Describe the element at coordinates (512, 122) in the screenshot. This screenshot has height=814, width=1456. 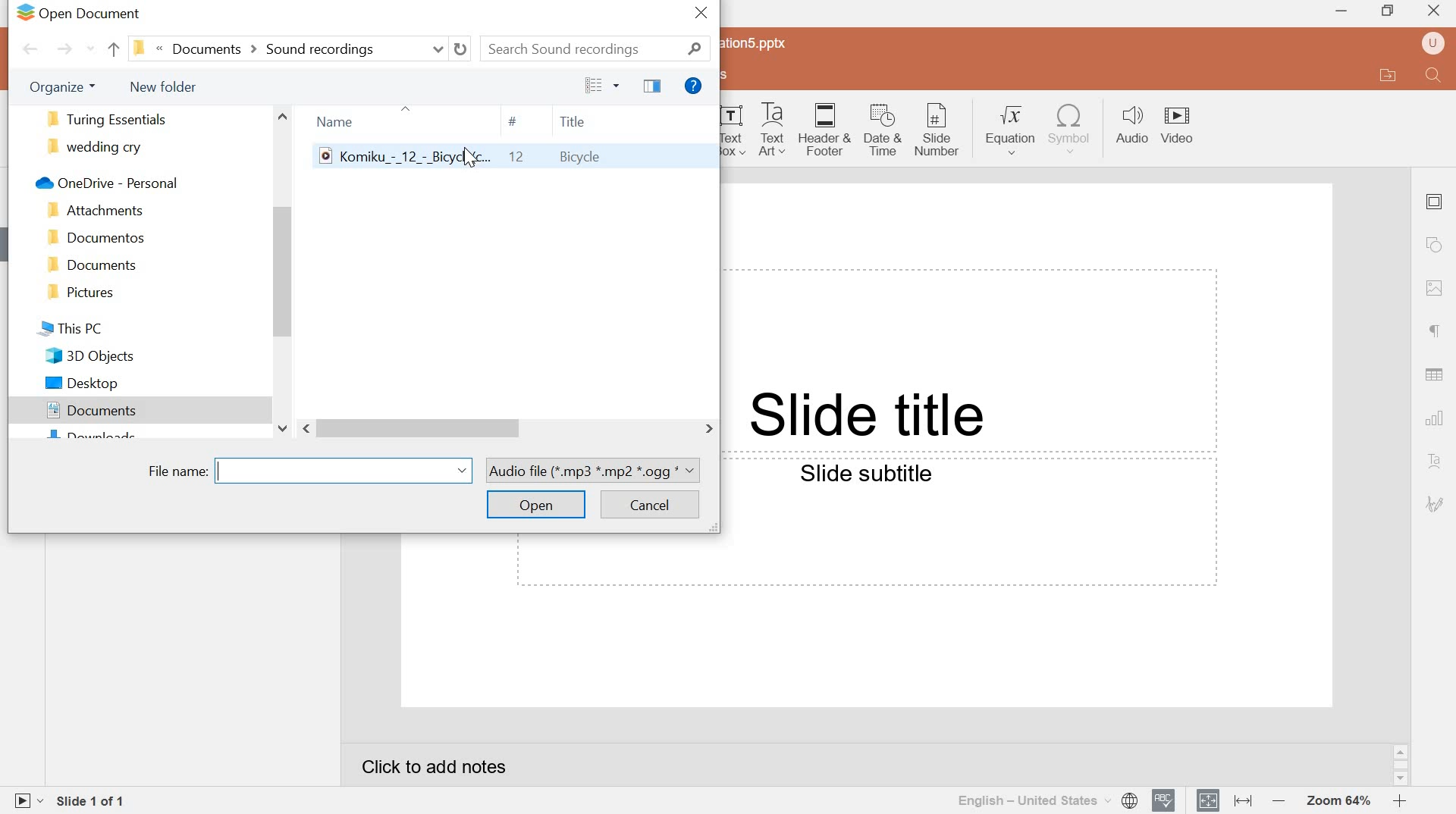
I see `hash` at that location.